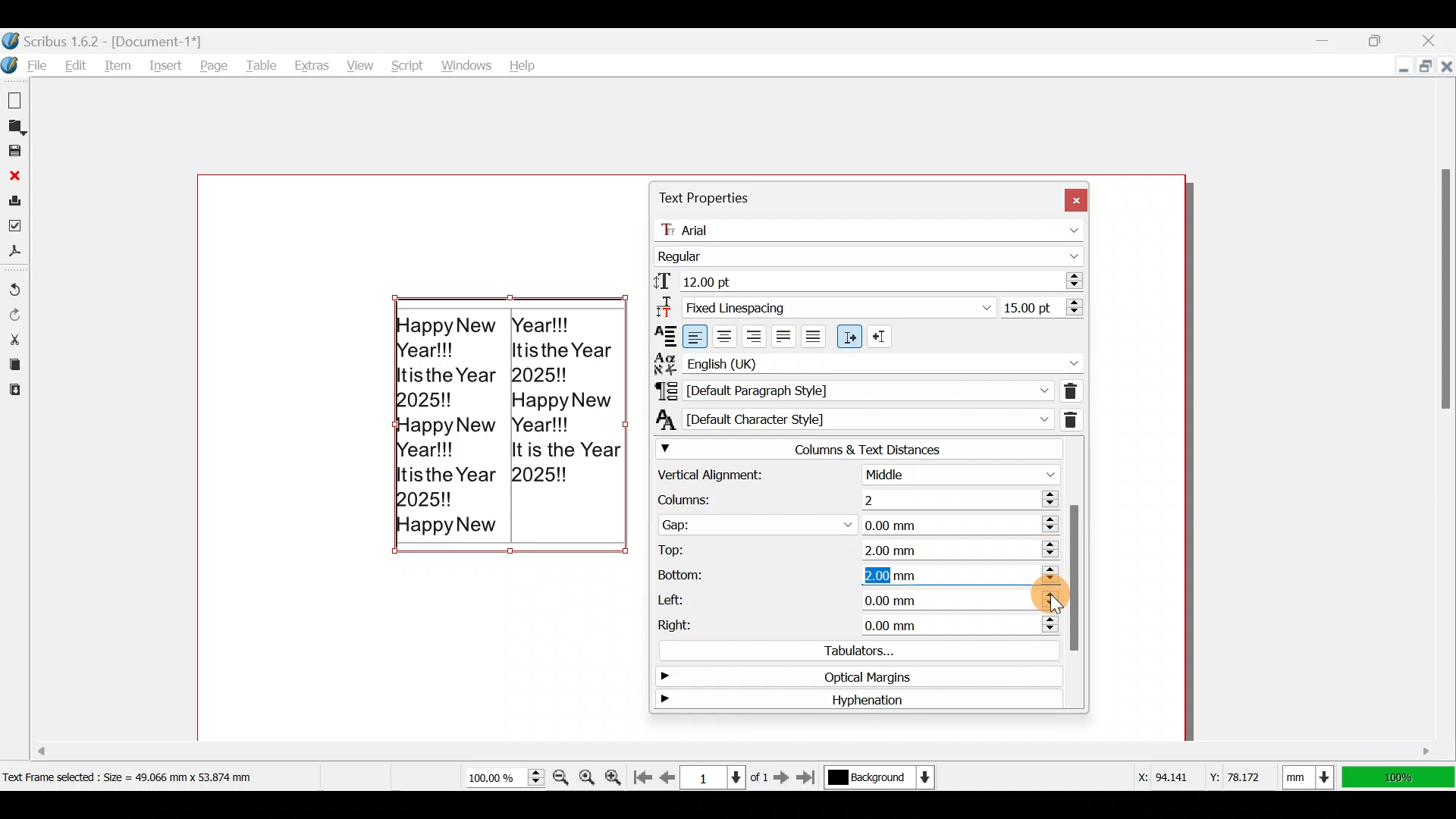  Describe the element at coordinates (511, 436) in the screenshot. I see `Happy New Year` at that location.